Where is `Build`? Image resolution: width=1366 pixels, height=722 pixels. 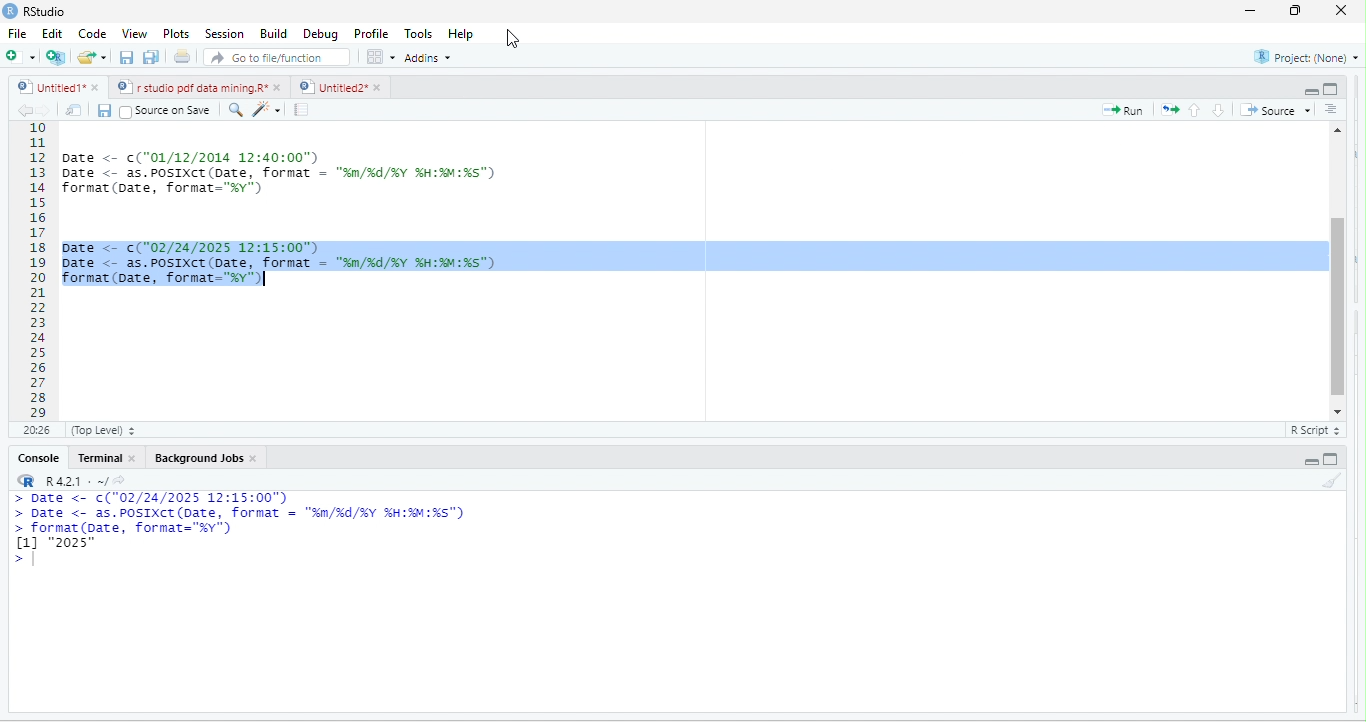
Build is located at coordinates (272, 35).